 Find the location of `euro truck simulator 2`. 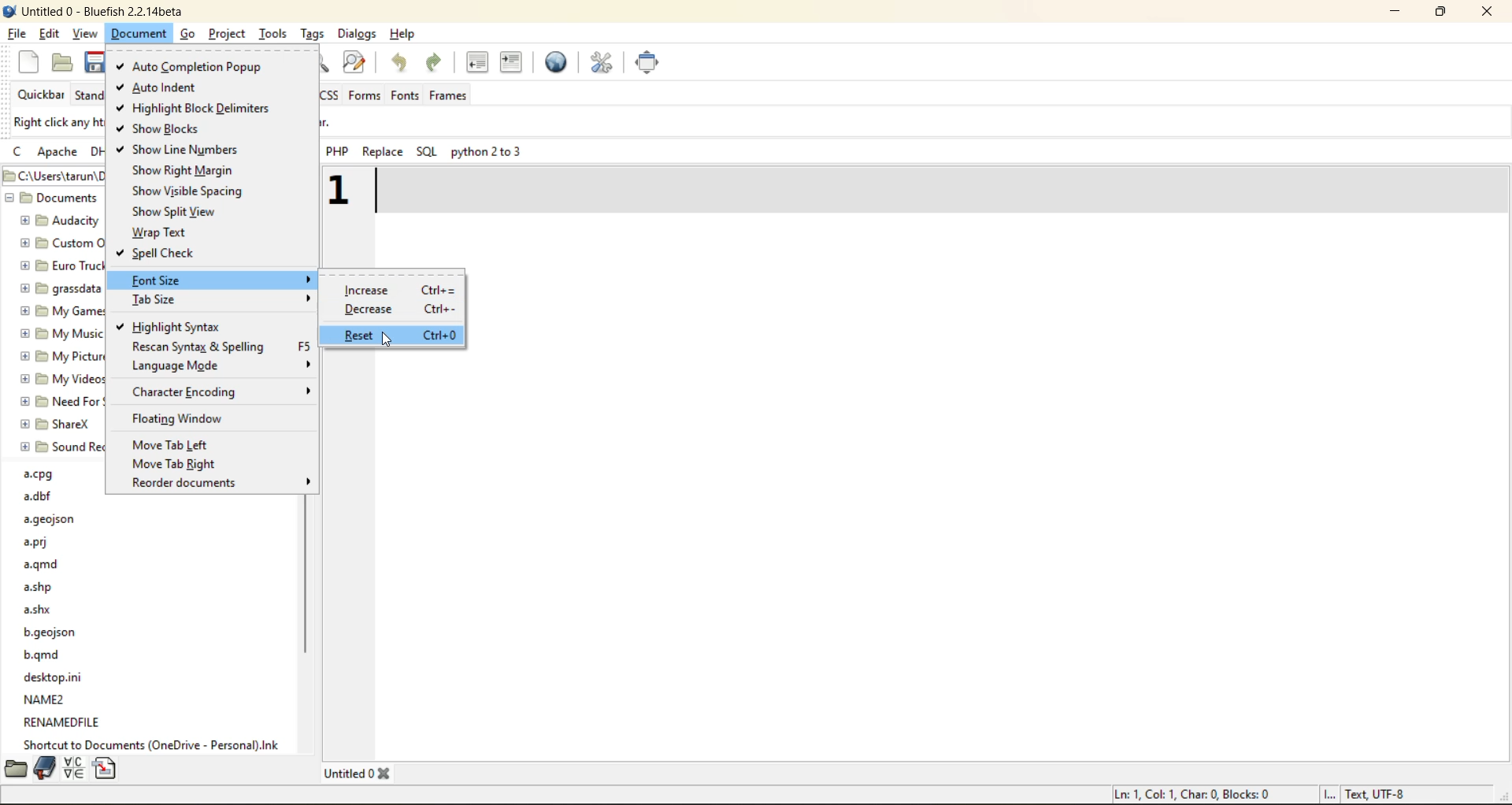

euro truck simulator 2 is located at coordinates (61, 266).